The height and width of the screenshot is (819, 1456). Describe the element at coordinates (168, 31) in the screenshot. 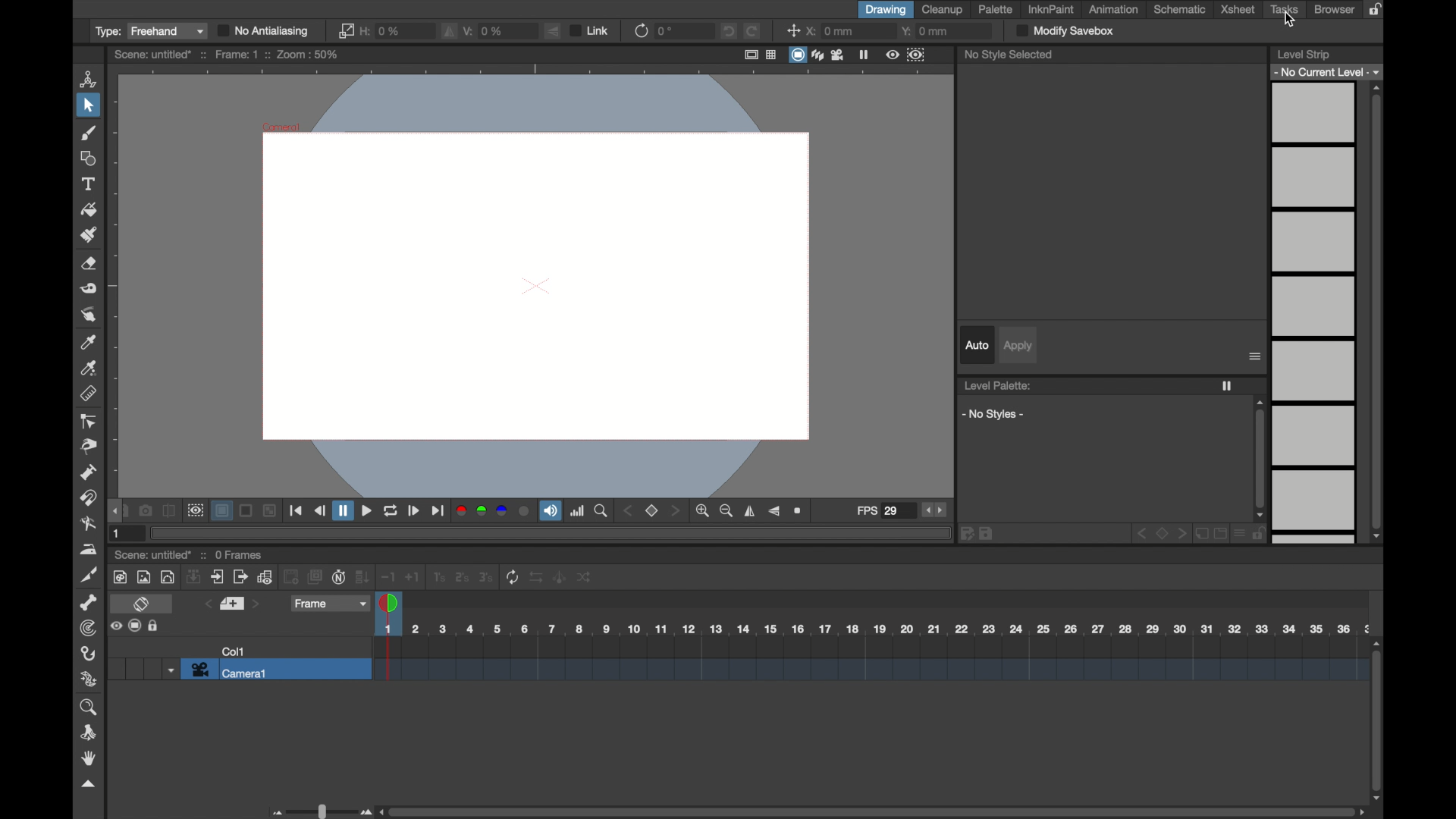

I see `Freehand` at that location.